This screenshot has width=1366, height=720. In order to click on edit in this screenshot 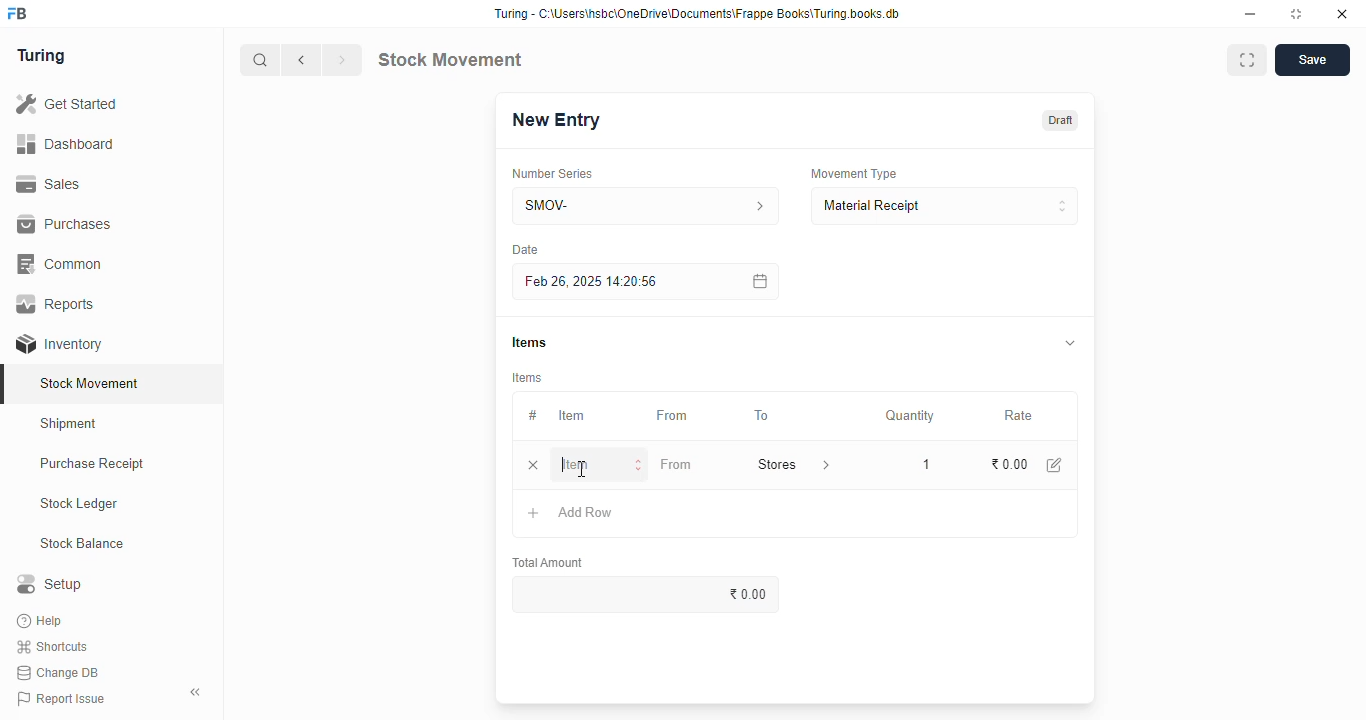, I will do `click(1055, 465)`.